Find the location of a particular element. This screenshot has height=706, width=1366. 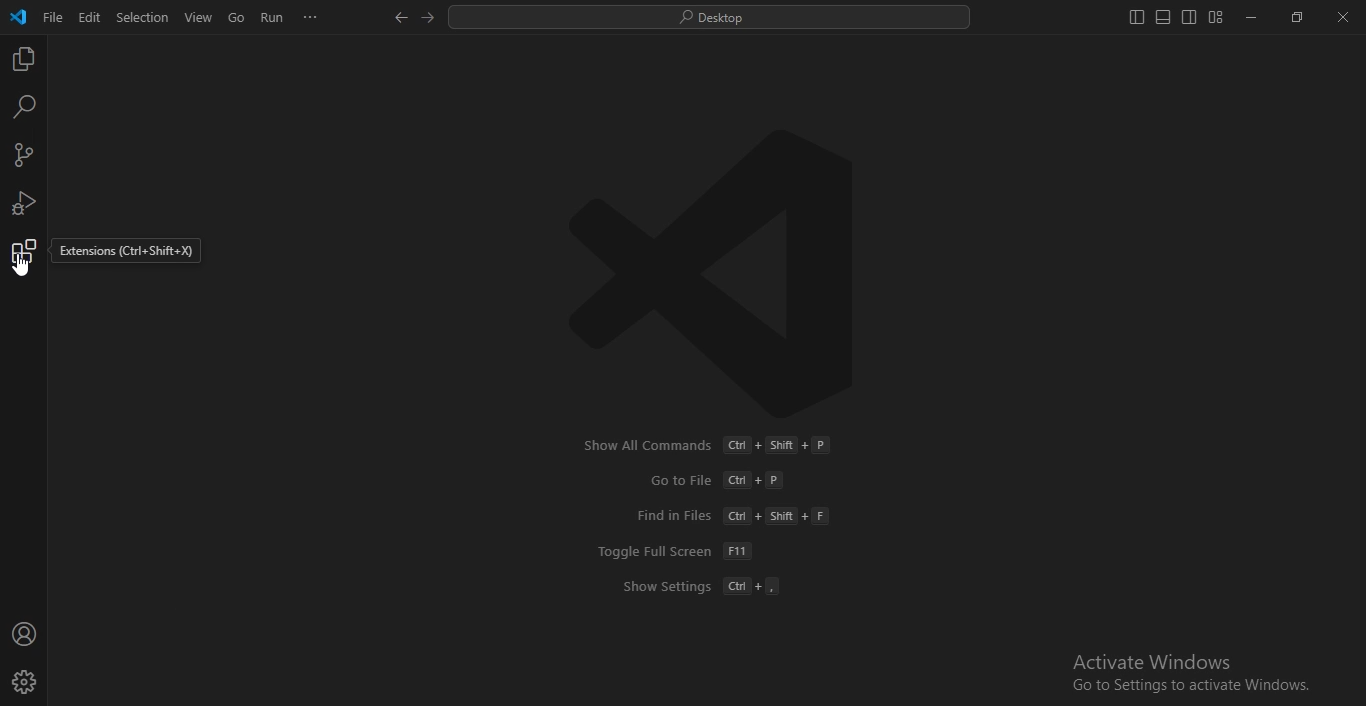

file is located at coordinates (52, 17).